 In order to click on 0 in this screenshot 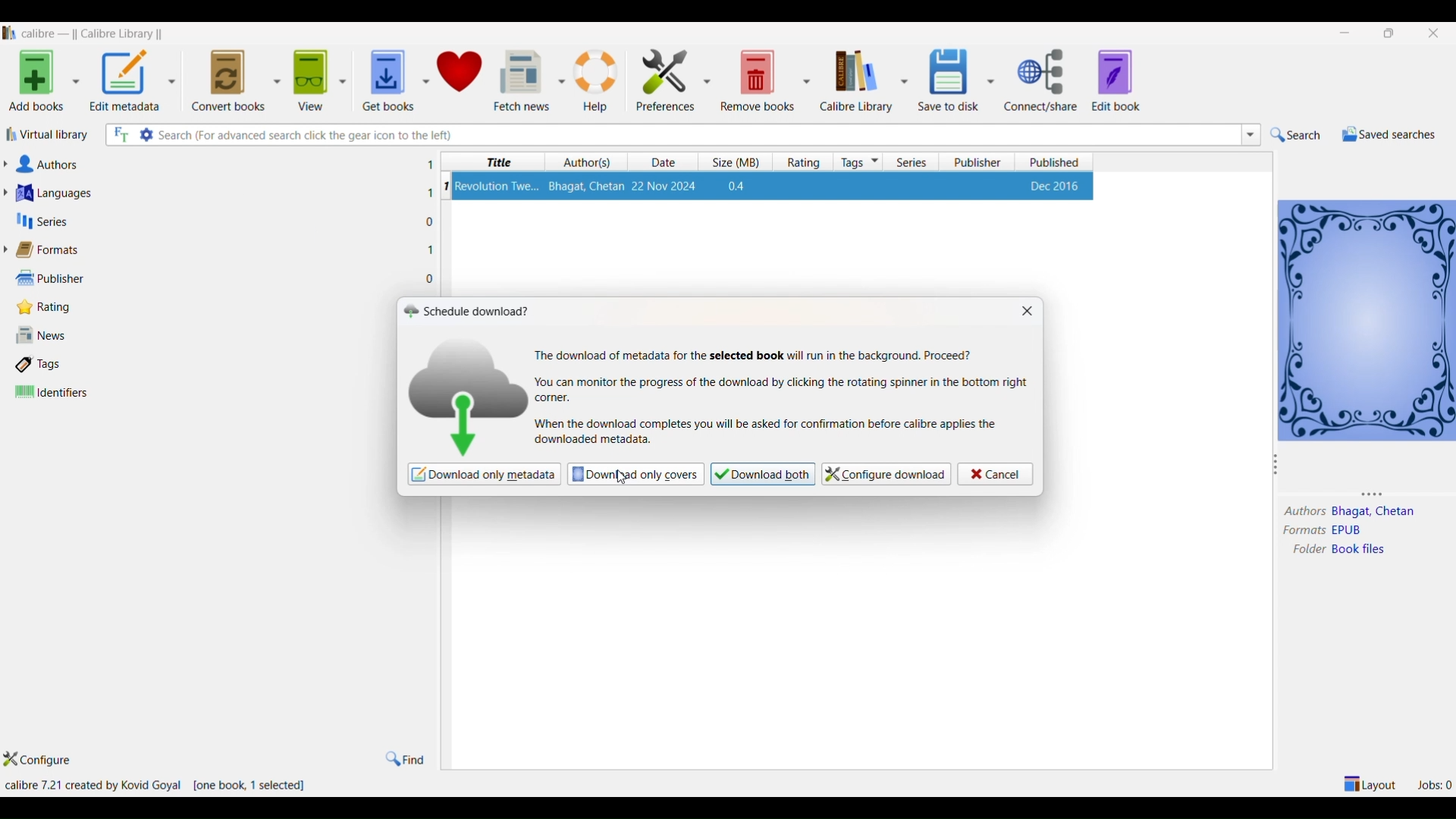, I will do `click(431, 279)`.